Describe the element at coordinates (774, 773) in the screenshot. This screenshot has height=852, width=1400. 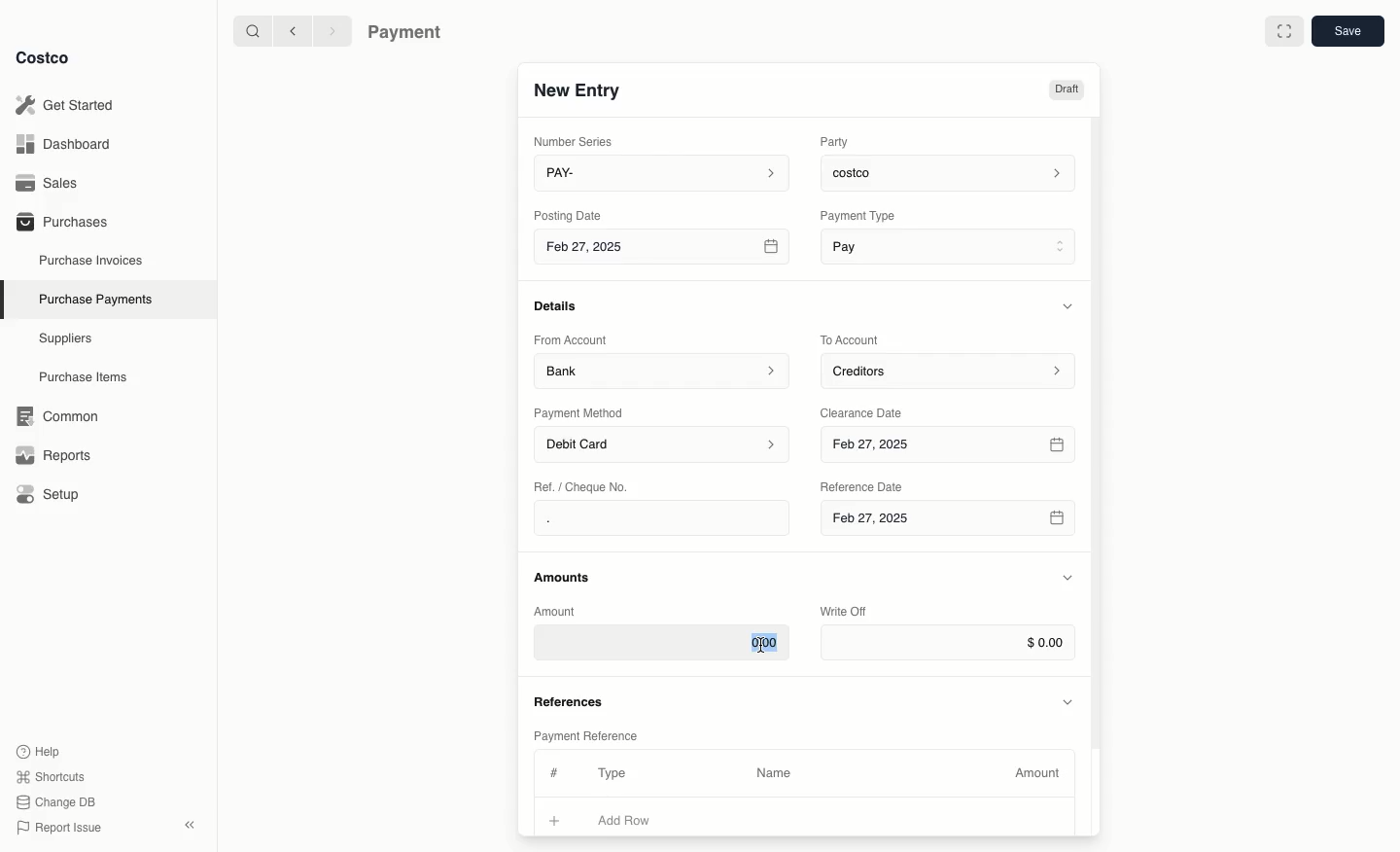
I see `Name` at that location.